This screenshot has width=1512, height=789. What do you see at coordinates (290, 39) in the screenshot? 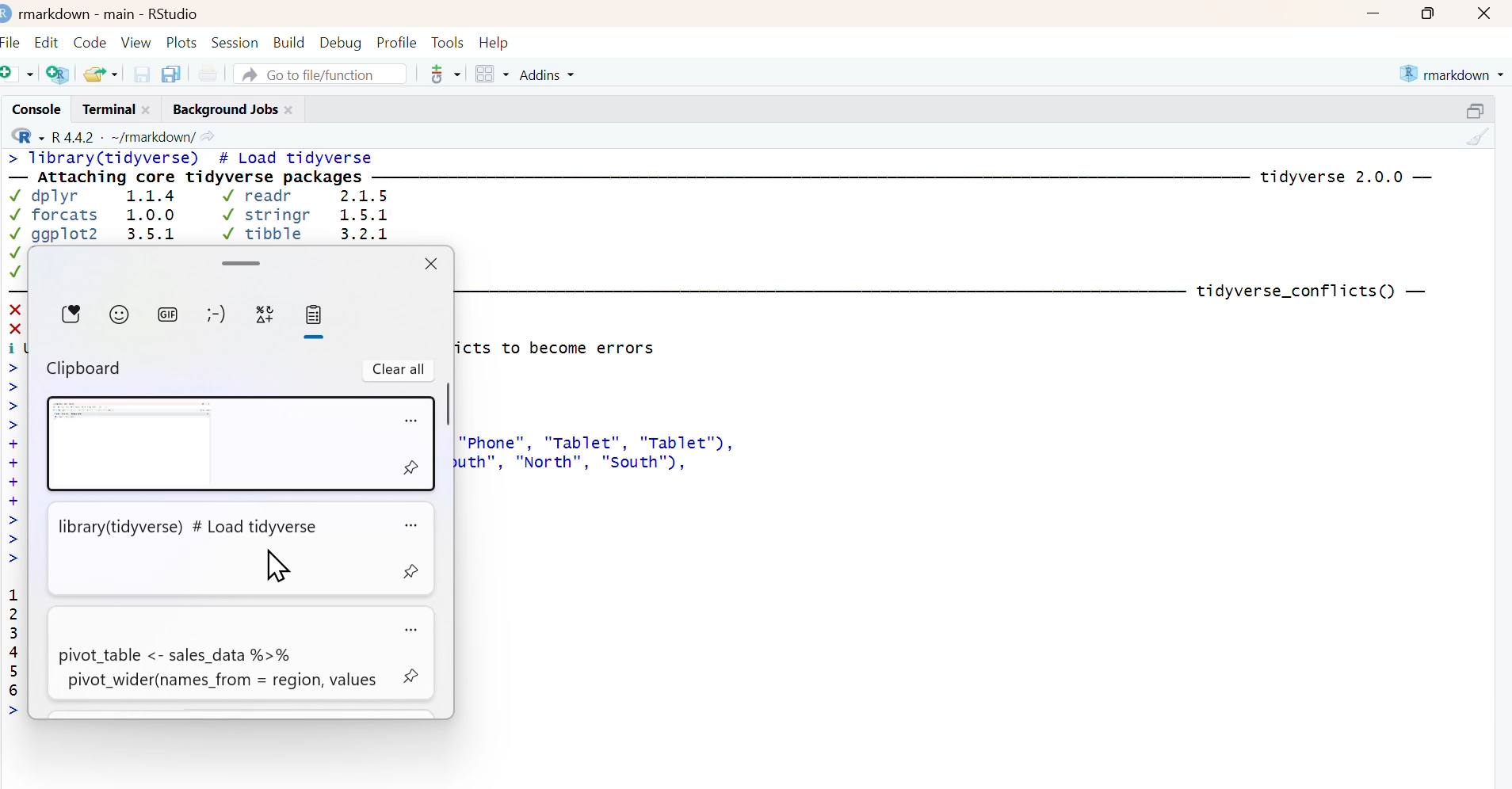
I see `Build` at bounding box center [290, 39].